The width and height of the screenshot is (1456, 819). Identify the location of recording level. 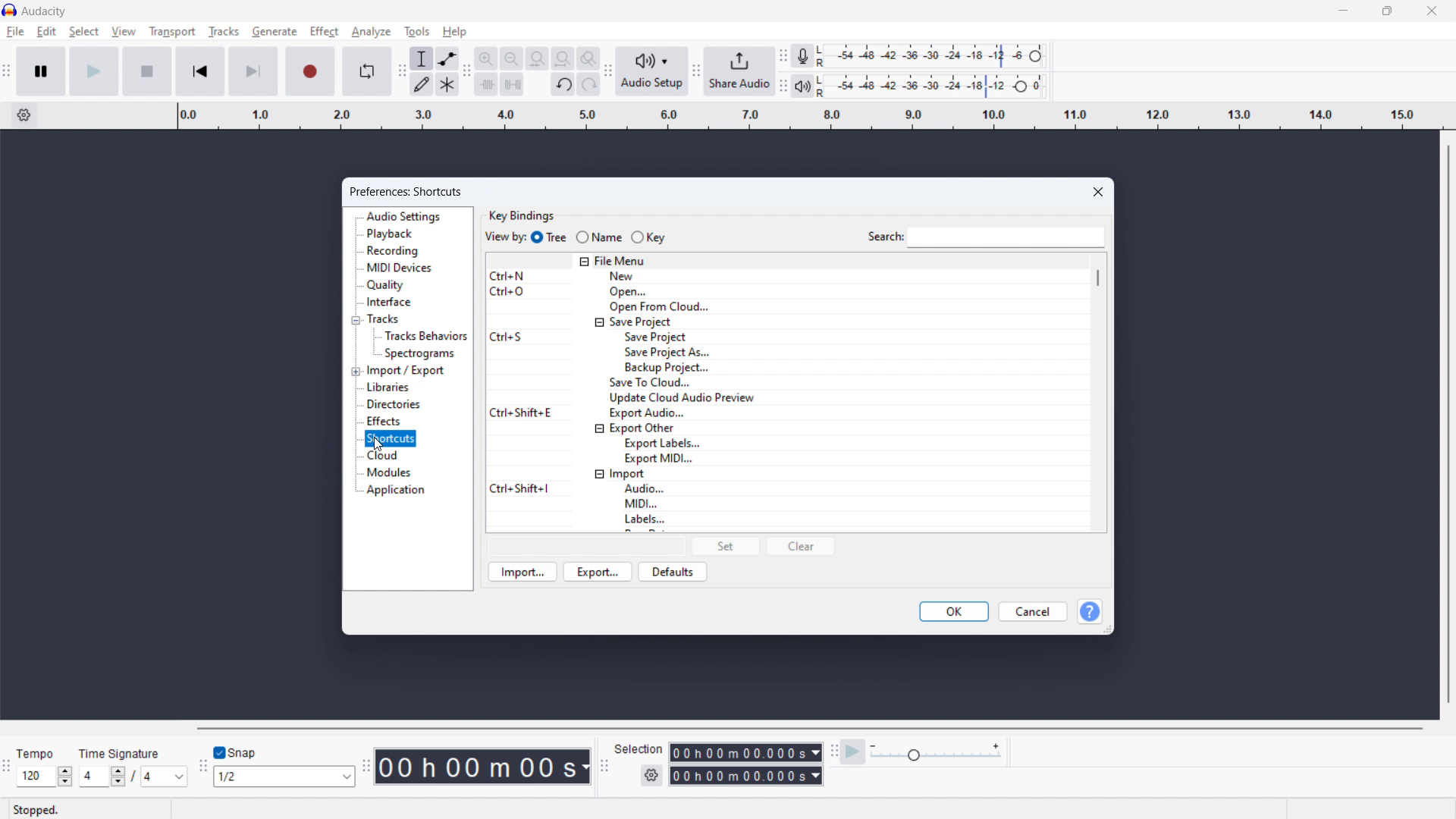
(919, 56).